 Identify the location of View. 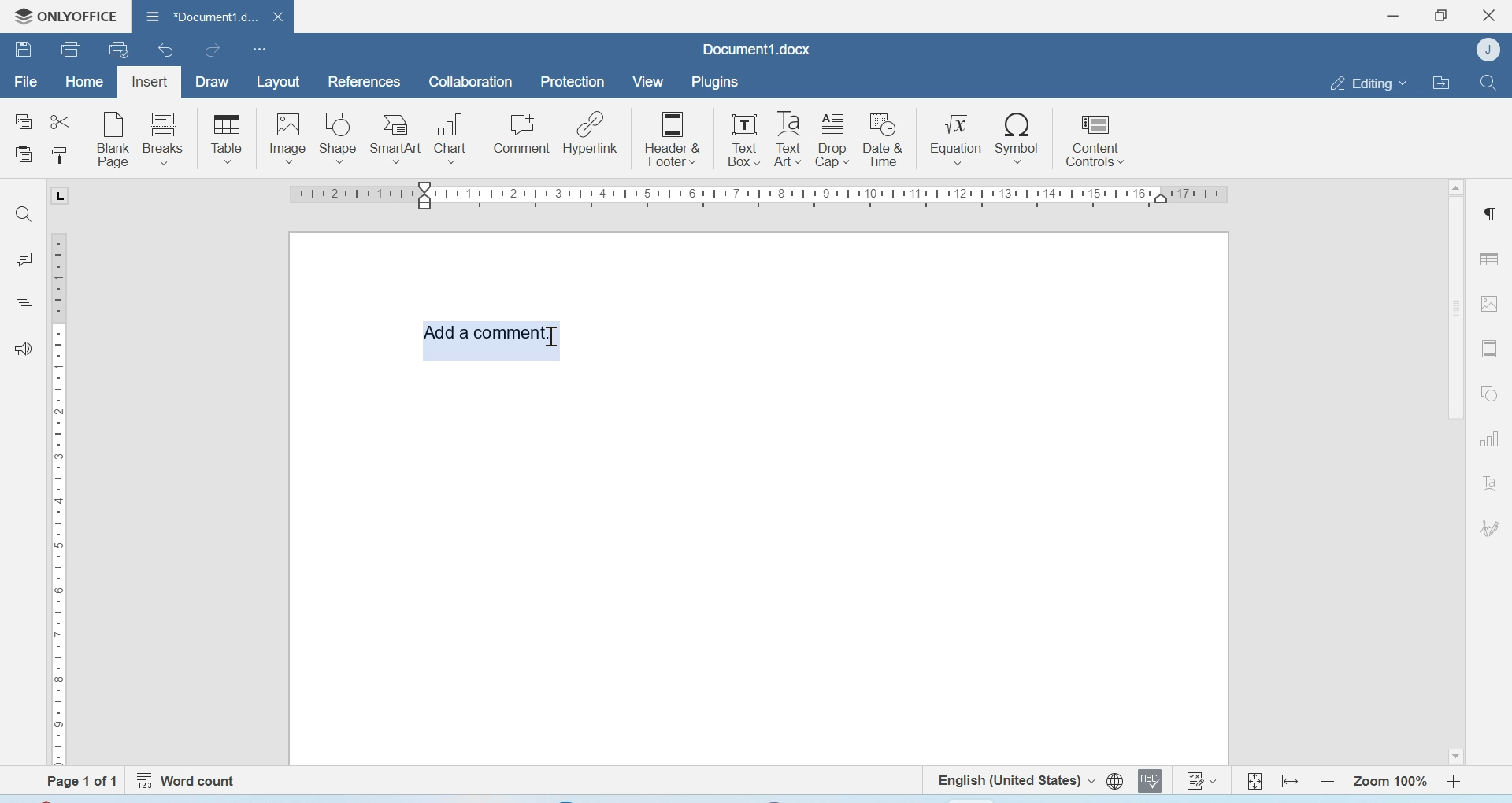
(647, 83).